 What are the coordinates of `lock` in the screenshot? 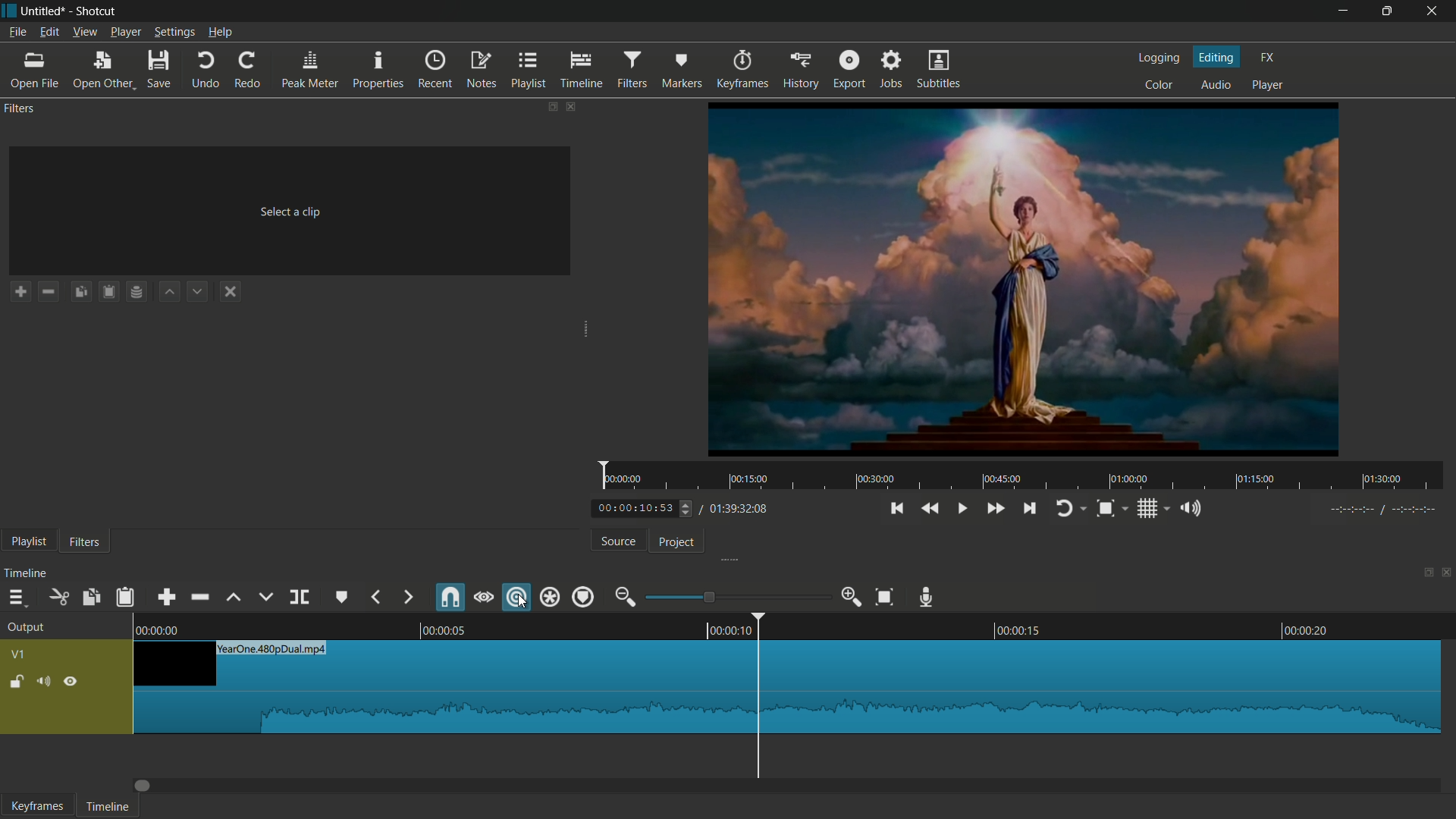 It's located at (14, 683).